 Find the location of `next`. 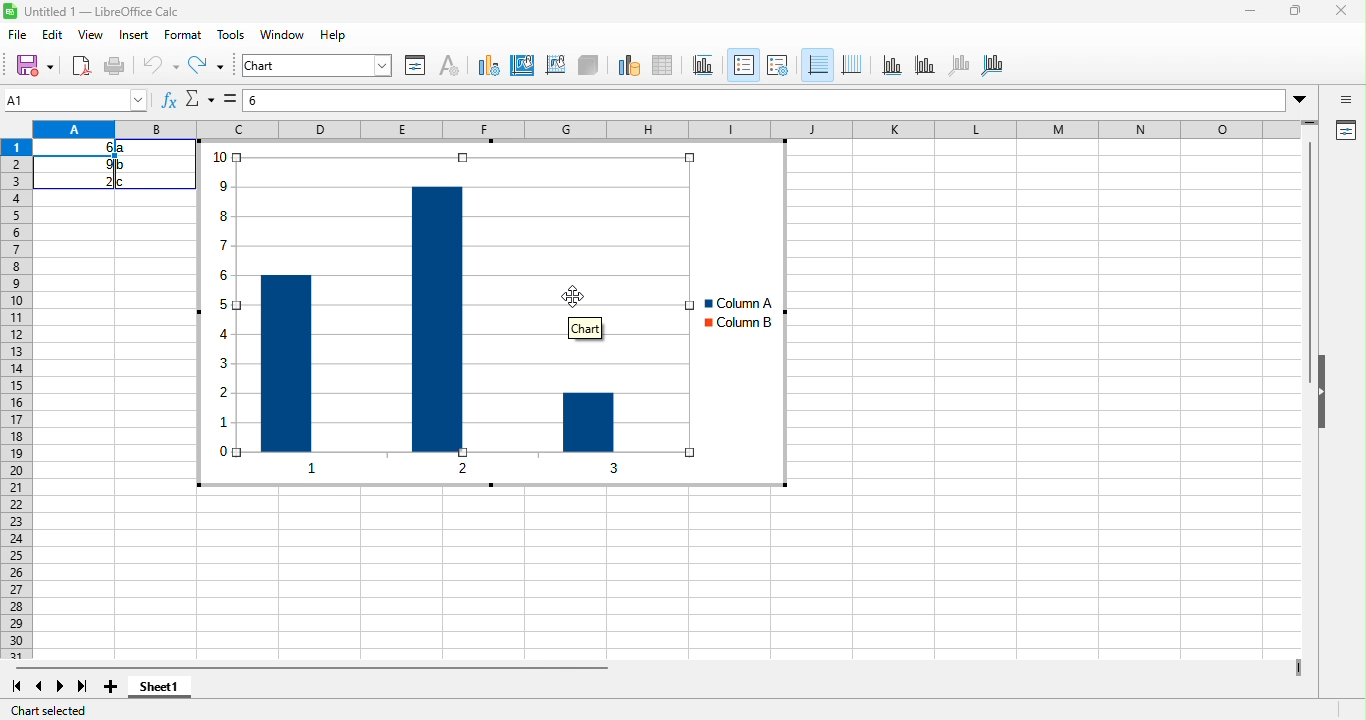

next is located at coordinates (60, 689).